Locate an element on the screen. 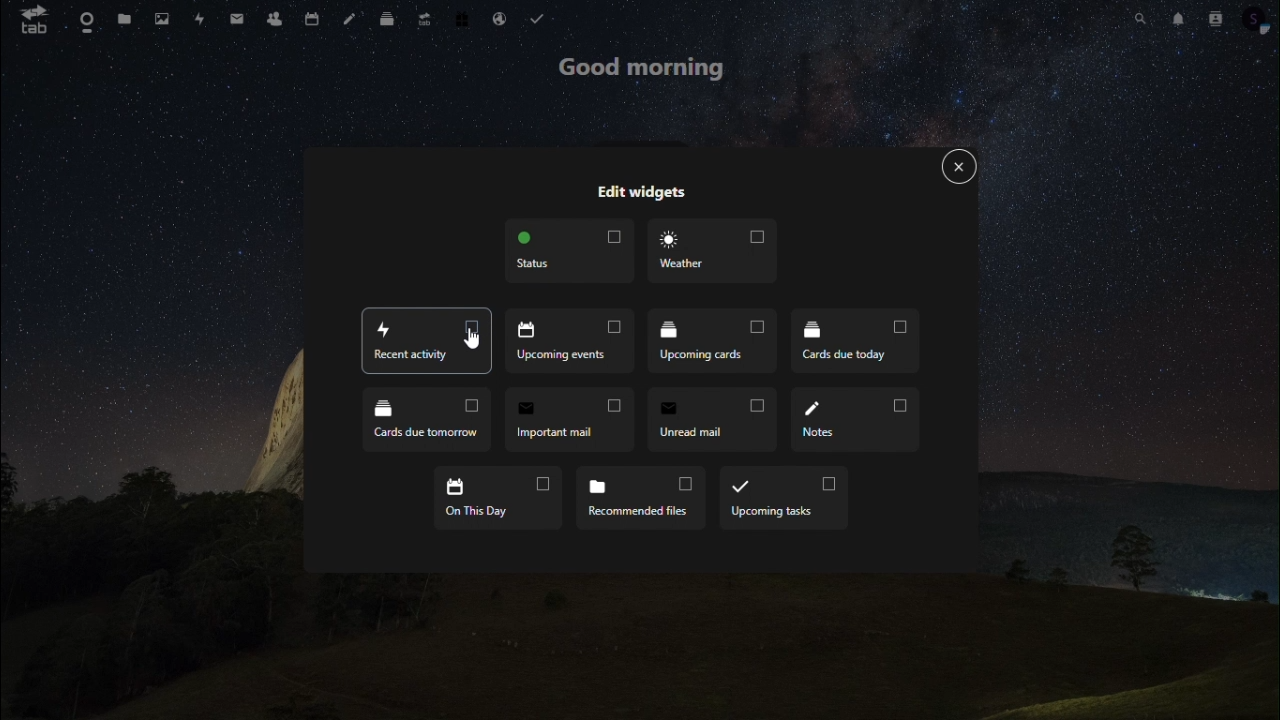 The image size is (1280, 720). upcoming tasks is located at coordinates (709, 339).